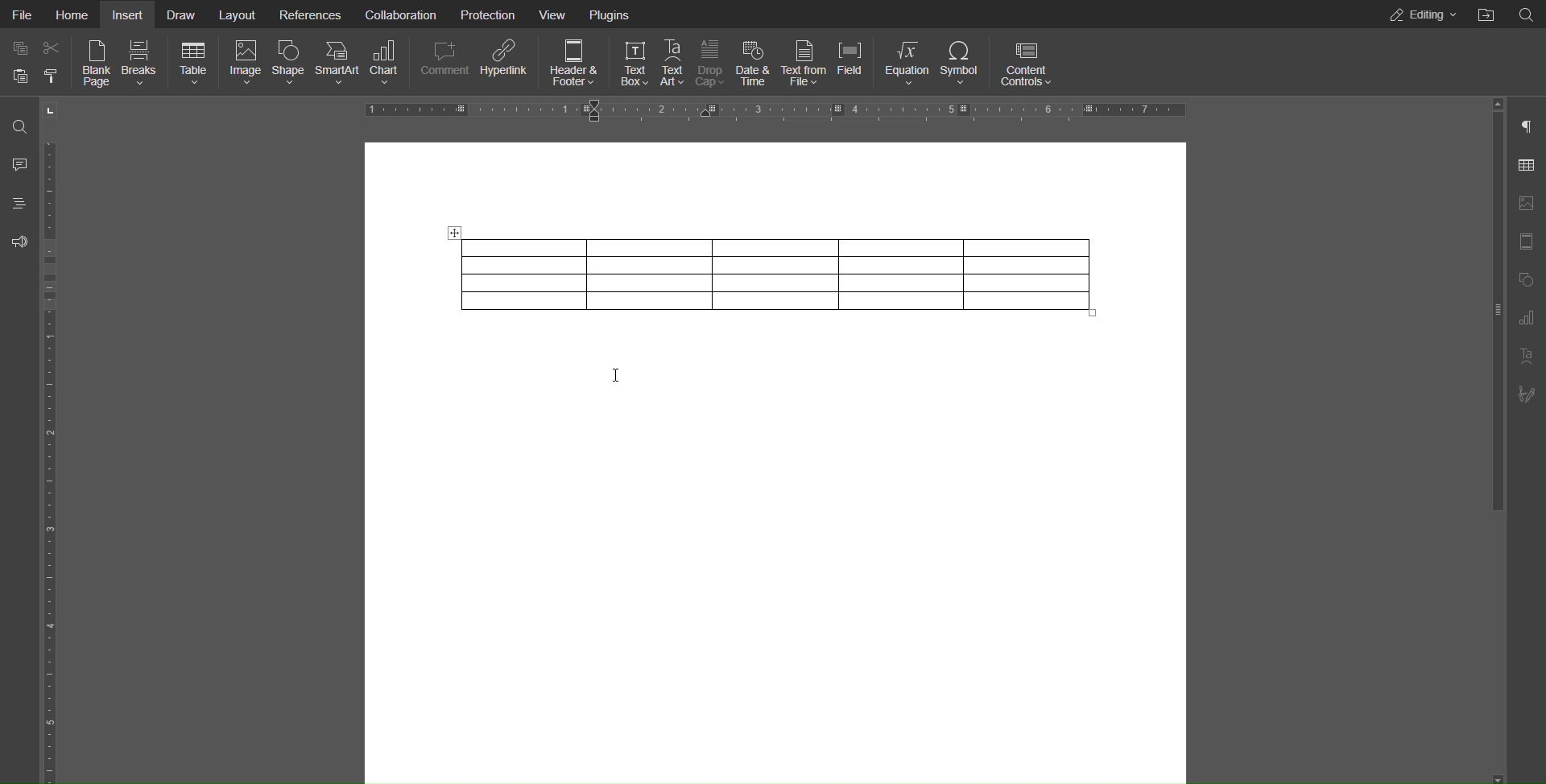 This screenshot has width=1546, height=784. I want to click on Insert, so click(128, 14).